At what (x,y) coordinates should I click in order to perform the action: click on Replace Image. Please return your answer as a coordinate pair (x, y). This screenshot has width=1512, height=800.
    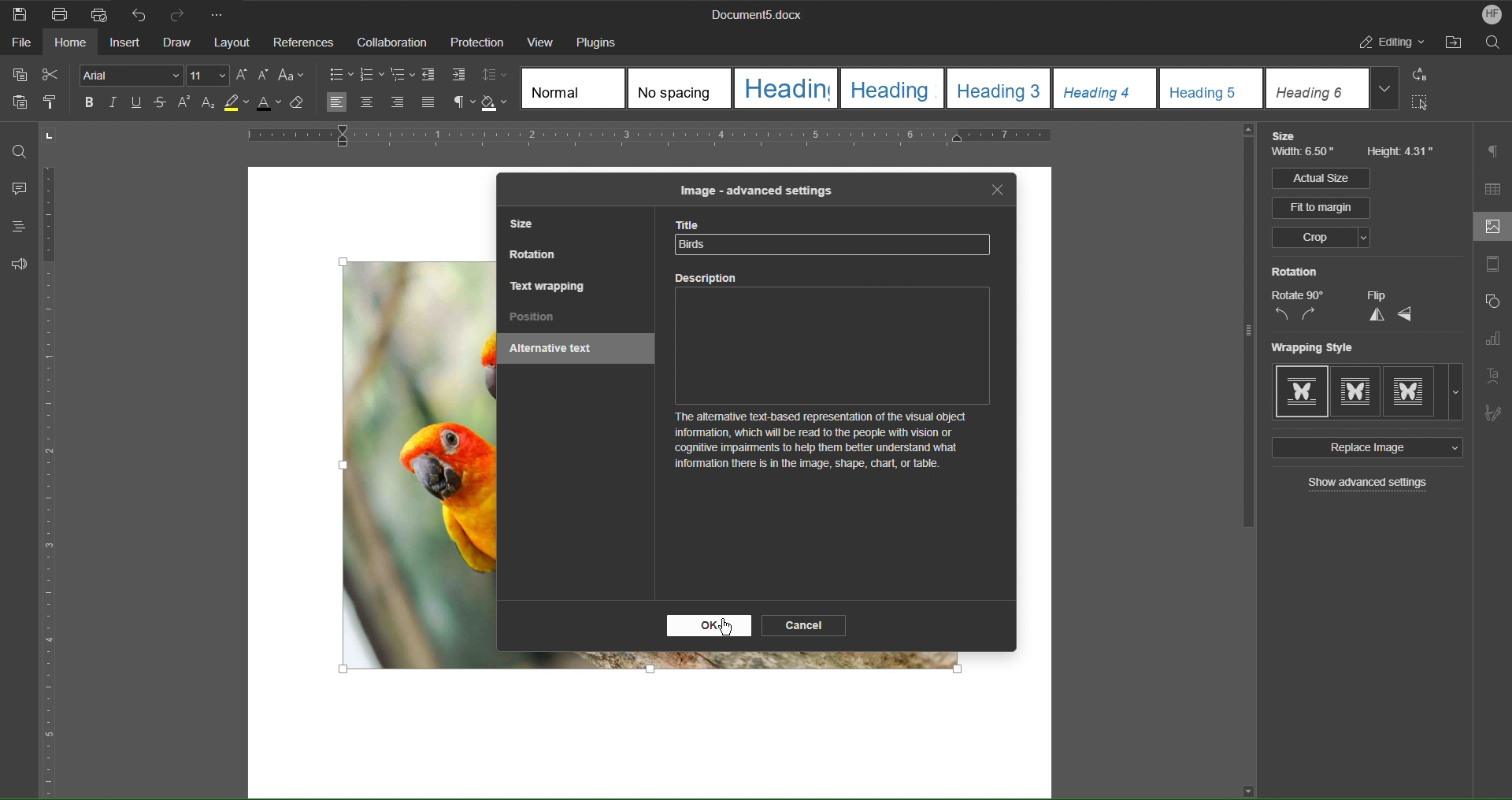
    Looking at the image, I should click on (1365, 448).